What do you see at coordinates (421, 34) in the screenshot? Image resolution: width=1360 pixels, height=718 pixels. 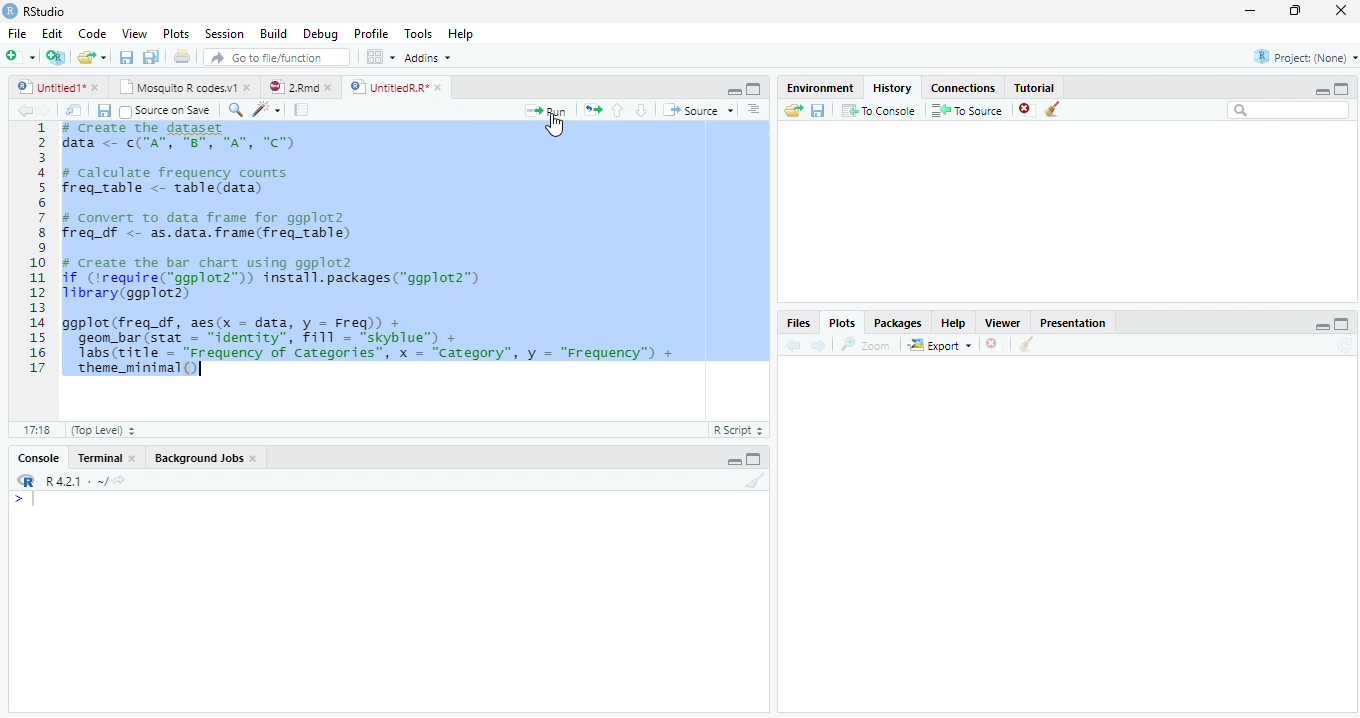 I see `Tools` at bounding box center [421, 34].